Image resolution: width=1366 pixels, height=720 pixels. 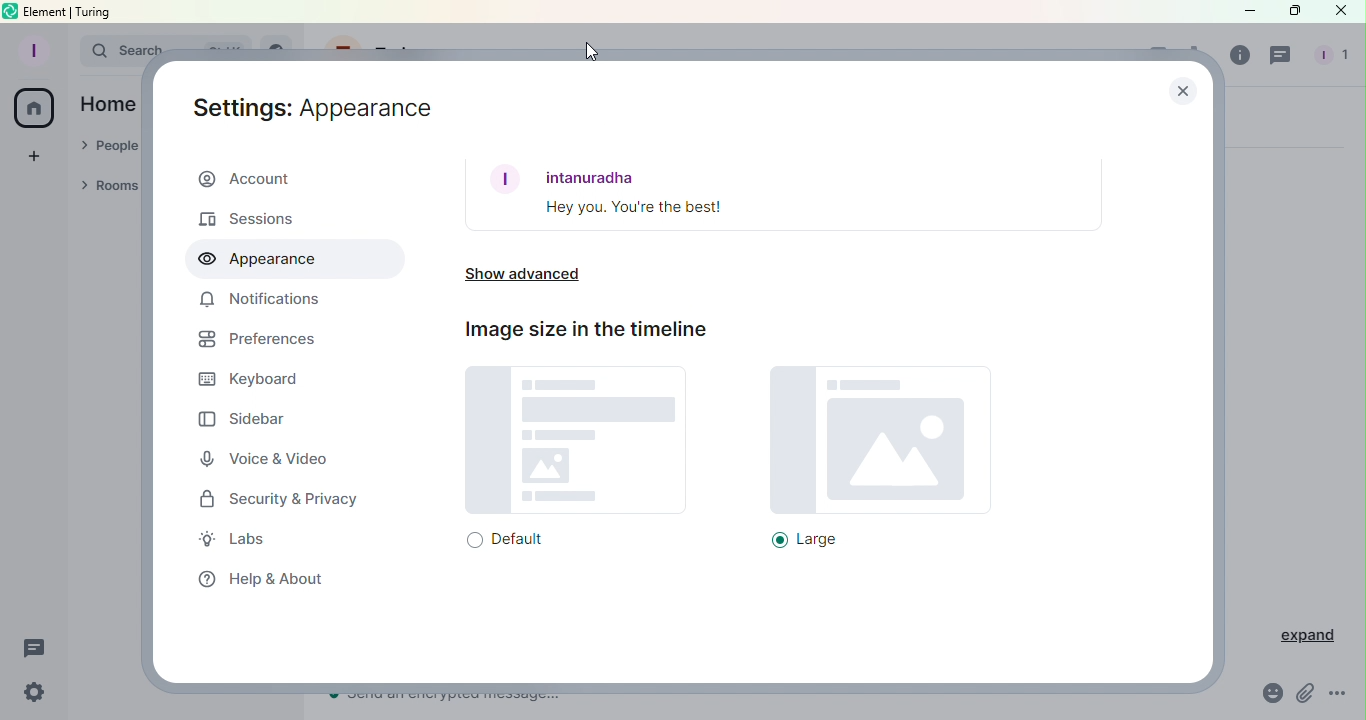 What do you see at coordinates (1306, 696) in the screenshot?
I see `Attachment` at bounding box center [1306, 696].